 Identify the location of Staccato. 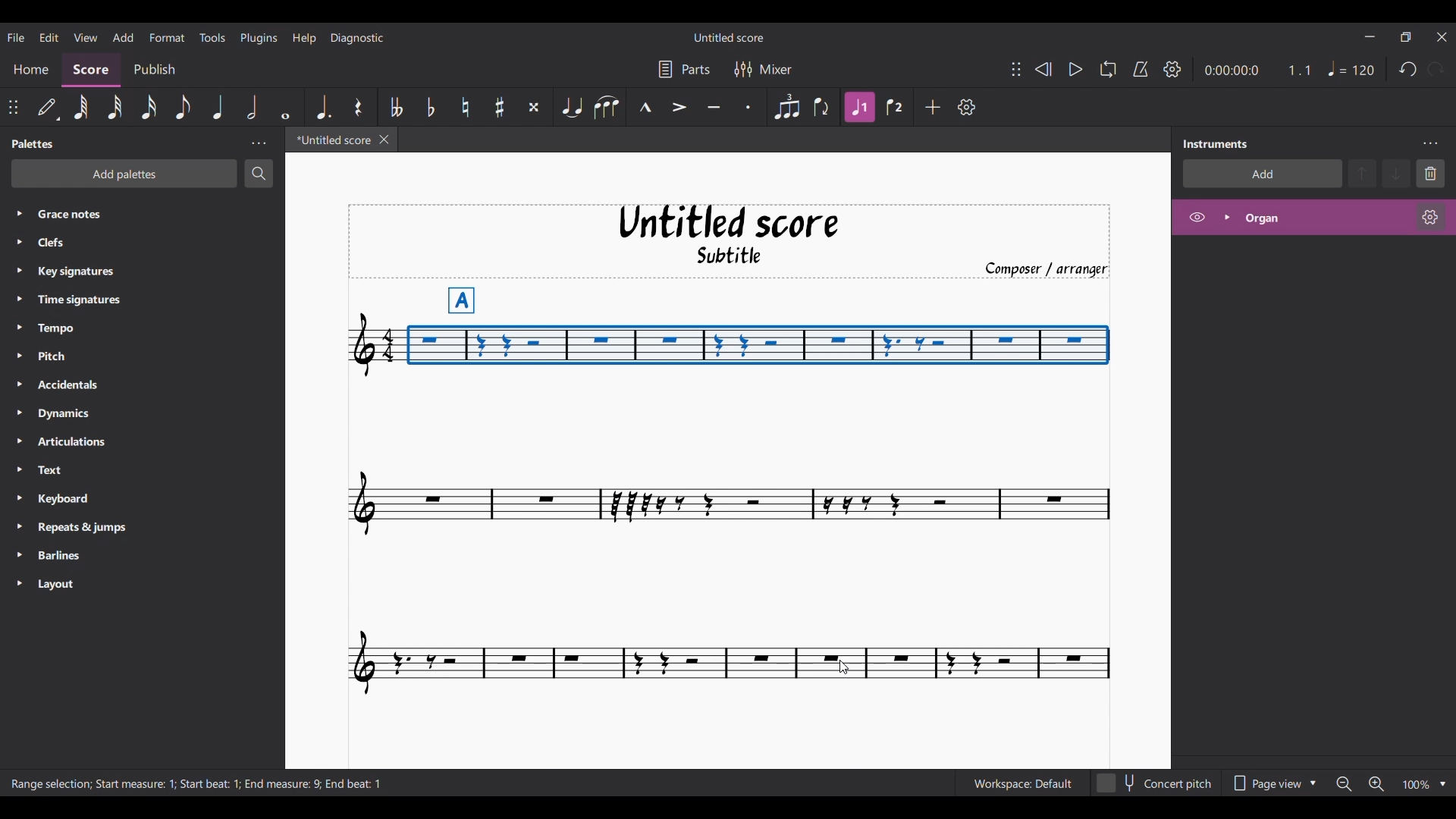
(747, 107).